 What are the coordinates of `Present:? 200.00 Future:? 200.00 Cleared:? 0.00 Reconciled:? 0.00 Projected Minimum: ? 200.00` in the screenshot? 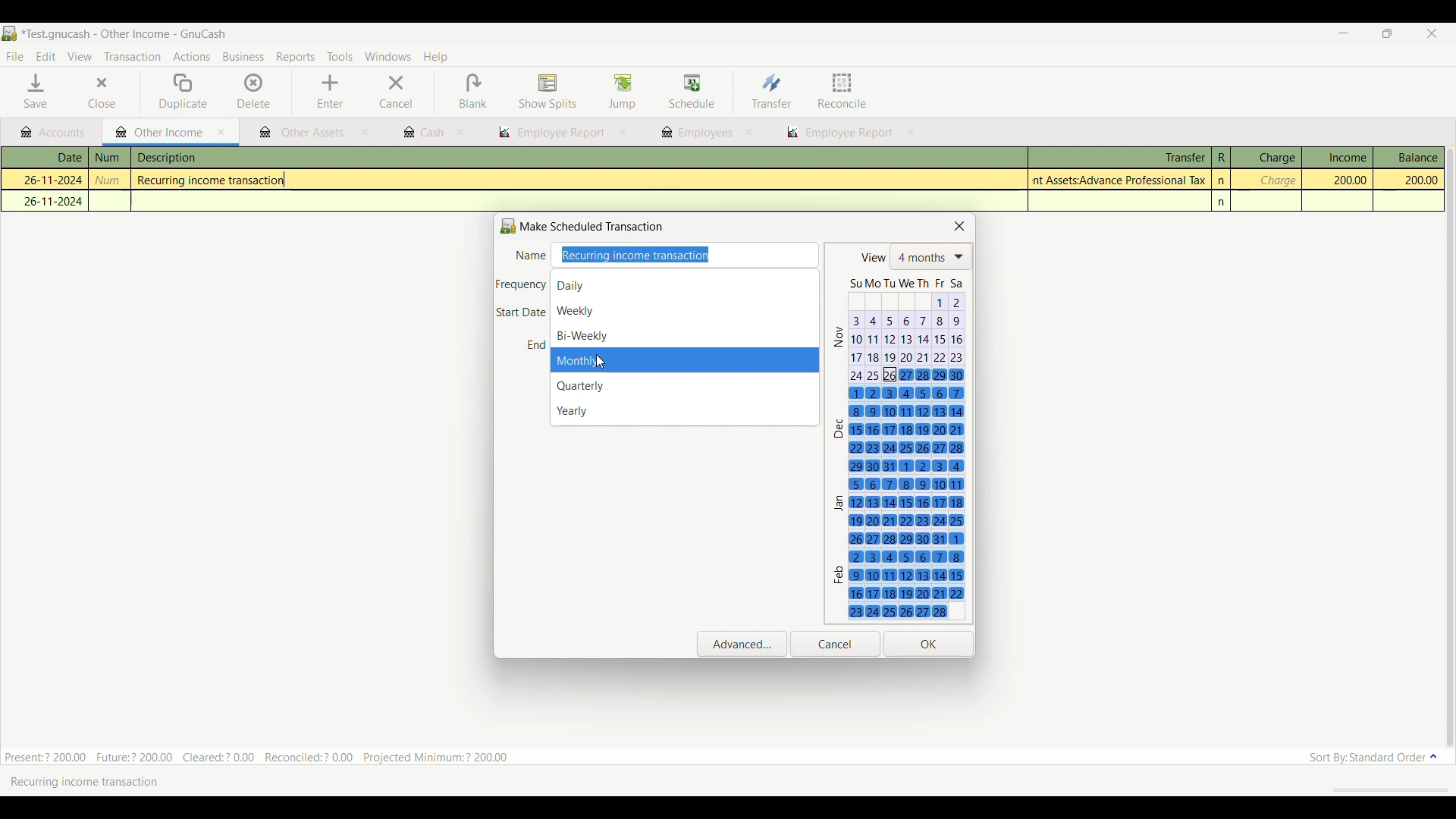 It's located at (265, 755).